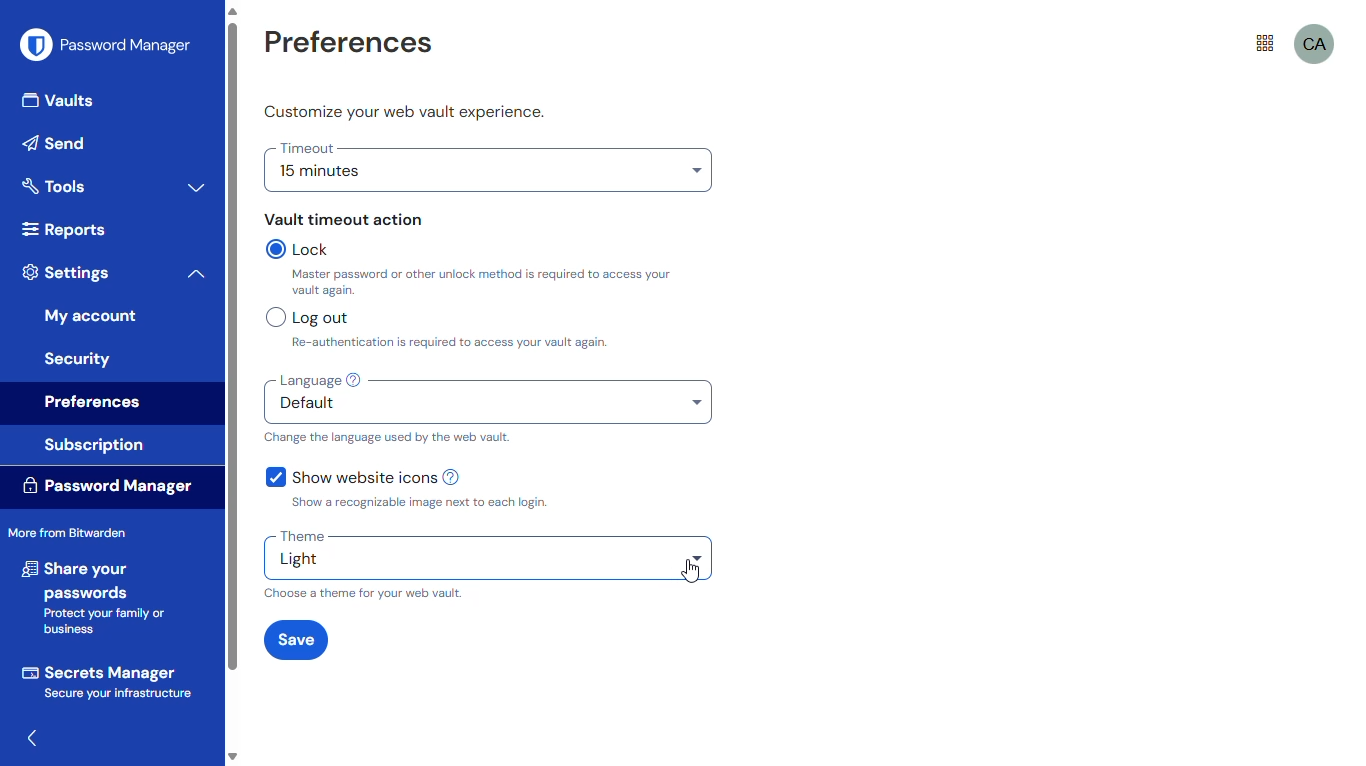 The width and height of the screenshot is (1366, 766). What do you see at coordinates (1315, 45) in the screenshot?
I see `CA` at bounding box center [1315, 45].